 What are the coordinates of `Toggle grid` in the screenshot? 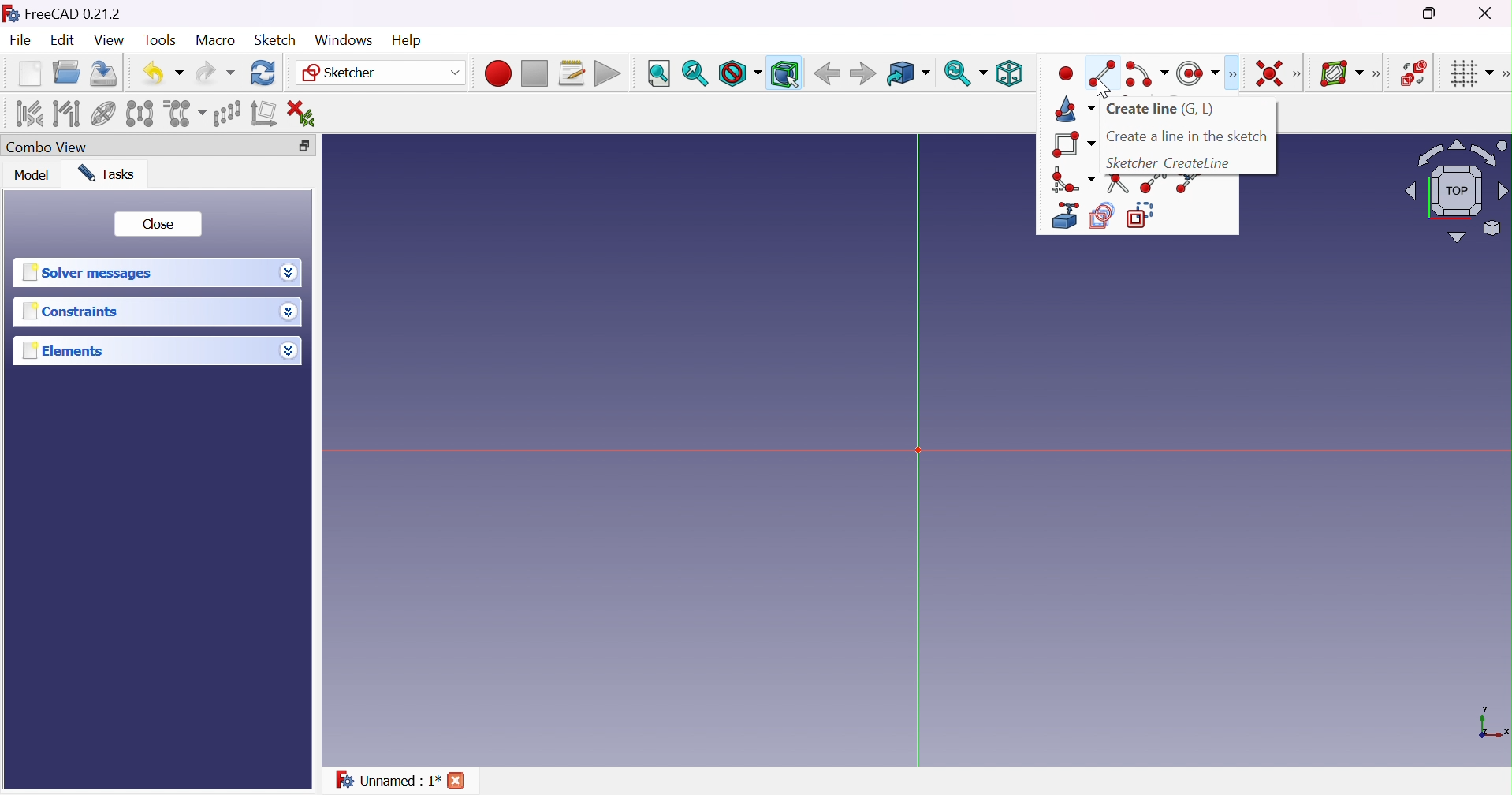 It's located at (1470, 75).